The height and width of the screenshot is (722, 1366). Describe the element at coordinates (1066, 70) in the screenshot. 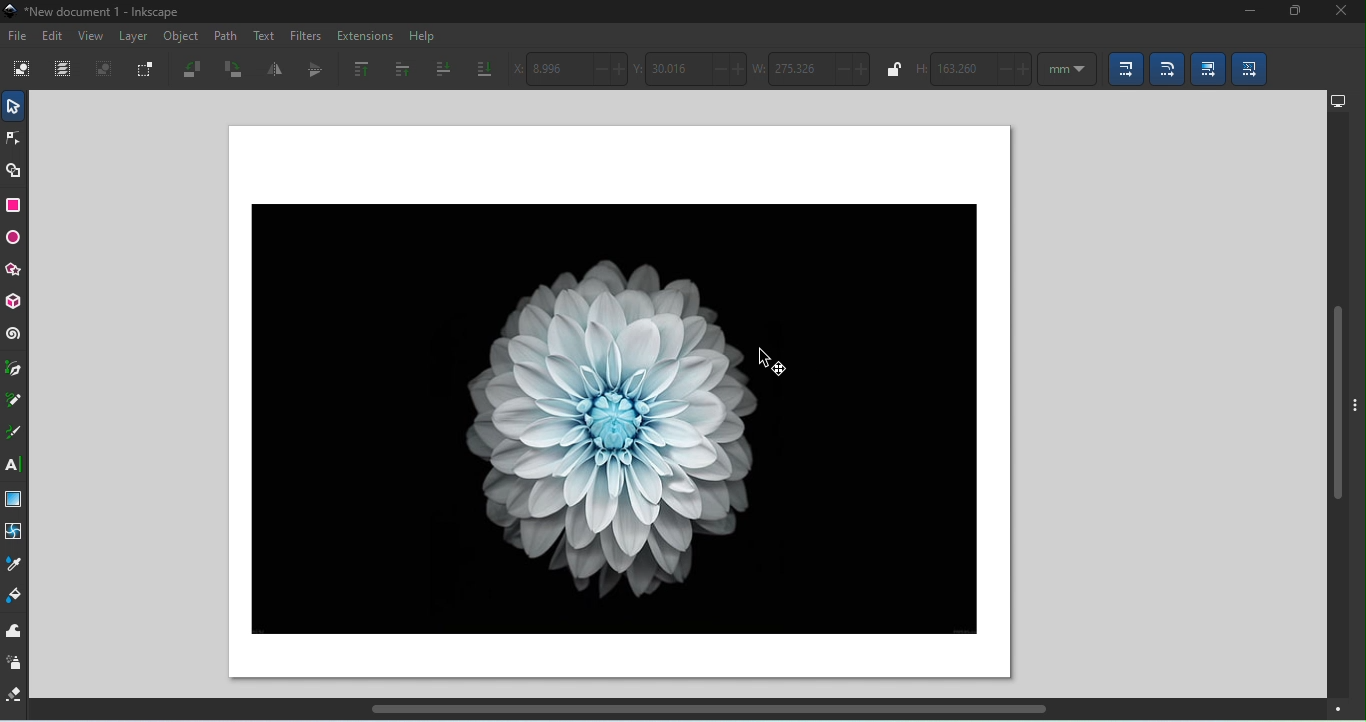

I see `Units` at that location.